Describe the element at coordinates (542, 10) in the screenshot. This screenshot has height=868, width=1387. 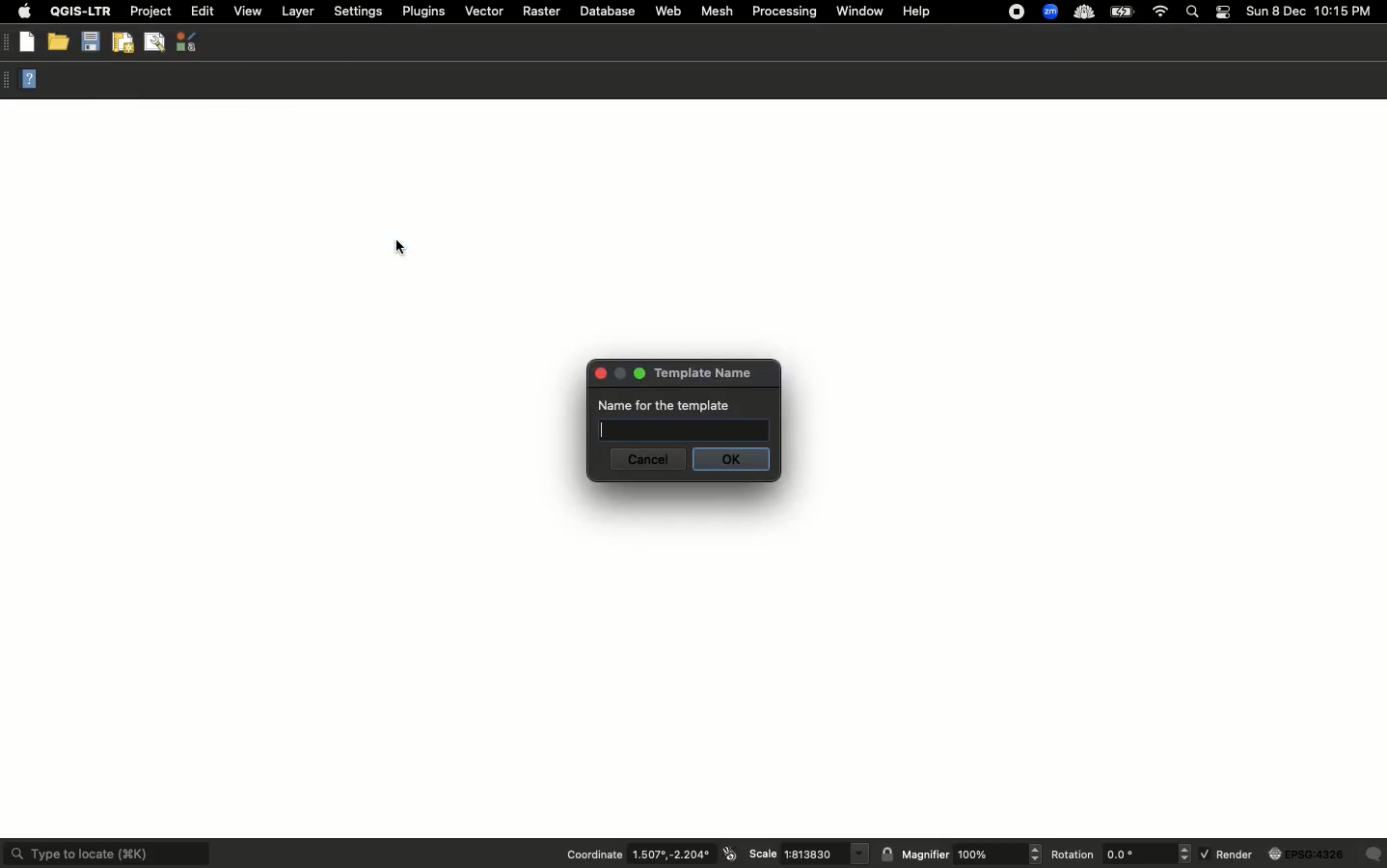
I see `Raster` at that location.